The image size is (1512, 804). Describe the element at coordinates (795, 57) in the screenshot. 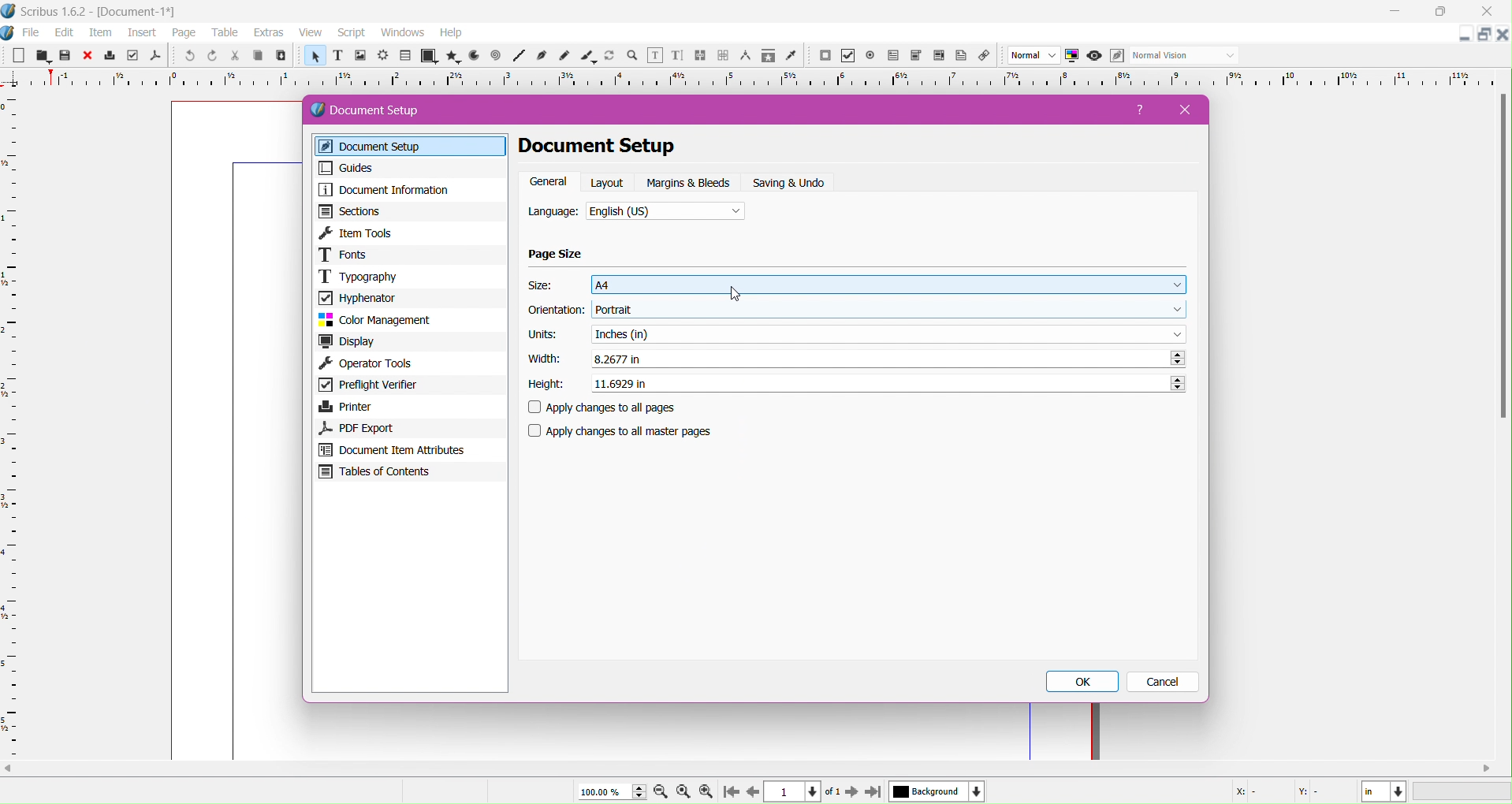

I see `eye dropper` at that location.